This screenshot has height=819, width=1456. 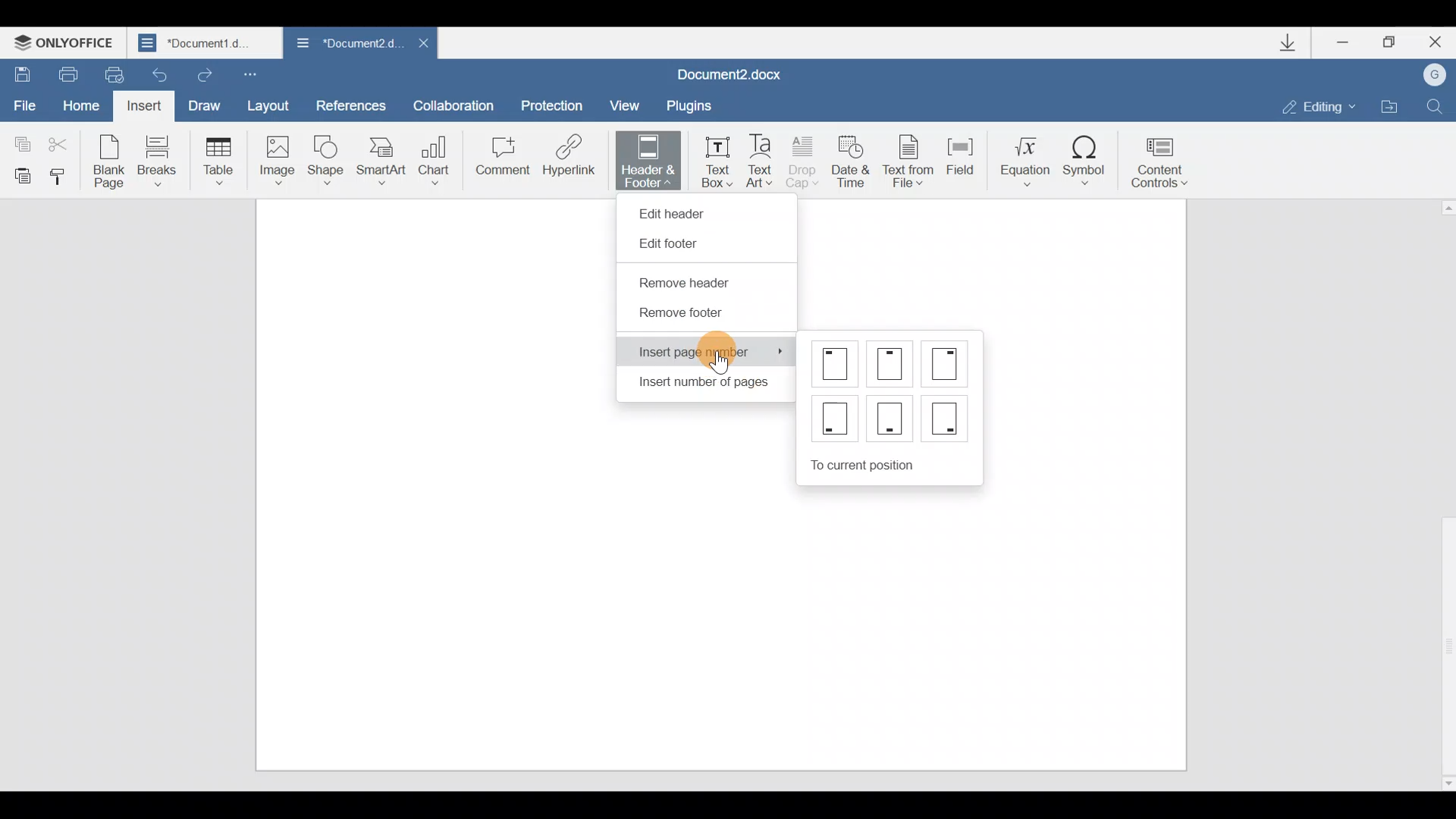 What do you see at coordinates (1442, 492) in the screenshot?
I see `Scroll bar` at bounding box center [1442, 492].